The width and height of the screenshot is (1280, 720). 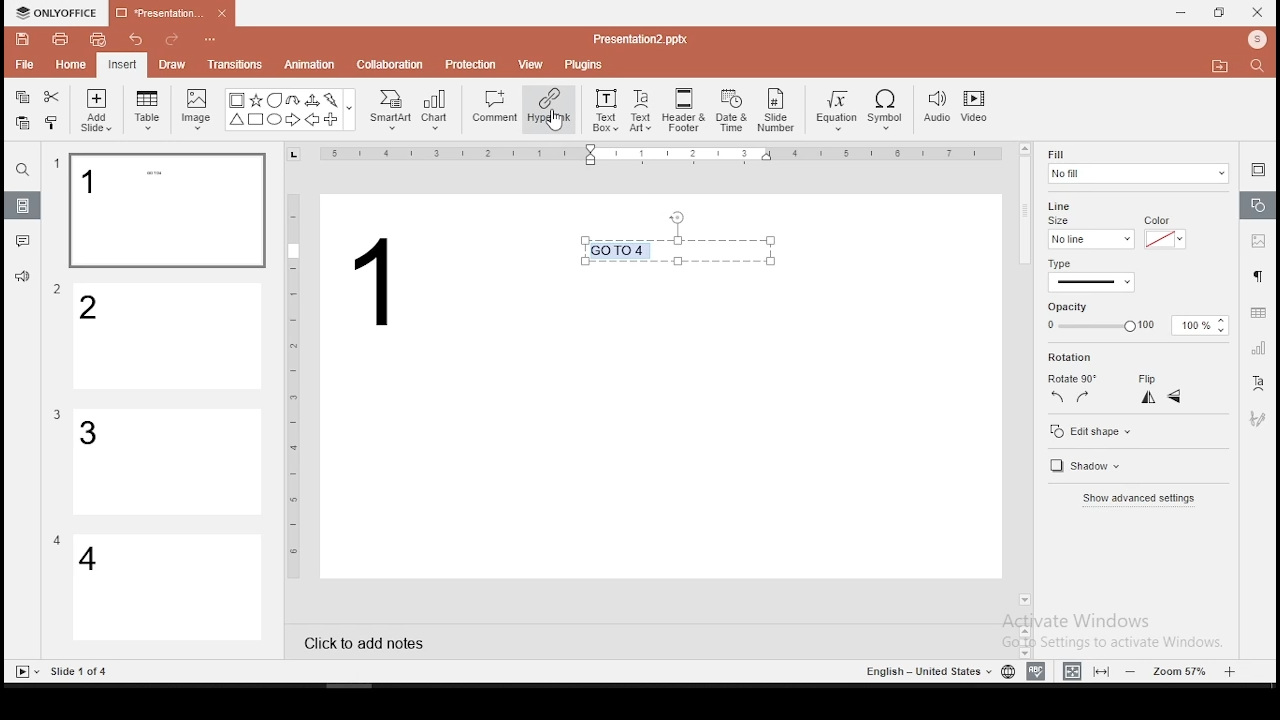 What do you see at coordinates (686, 111) in the screenshot?
I see `header and footer` at bounding box center [686, 111].